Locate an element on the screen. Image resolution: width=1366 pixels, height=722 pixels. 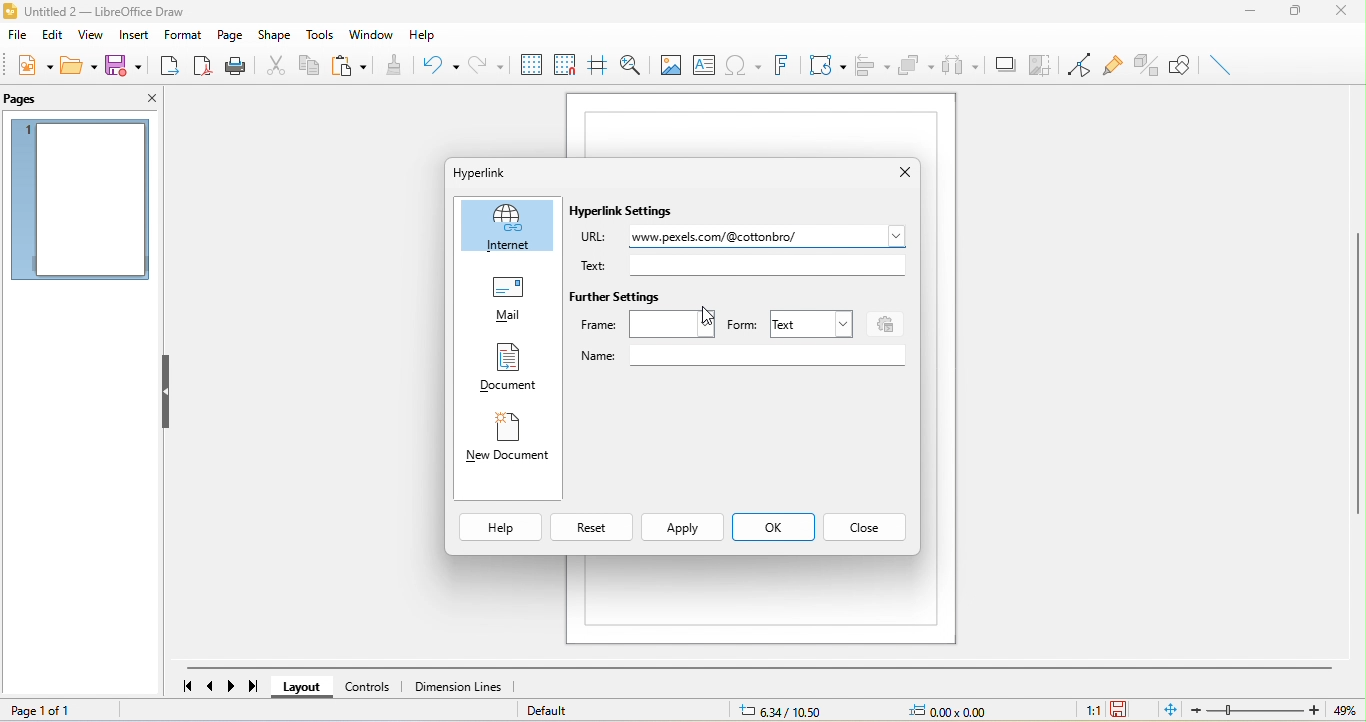
window is located at coordinates (368, 36).